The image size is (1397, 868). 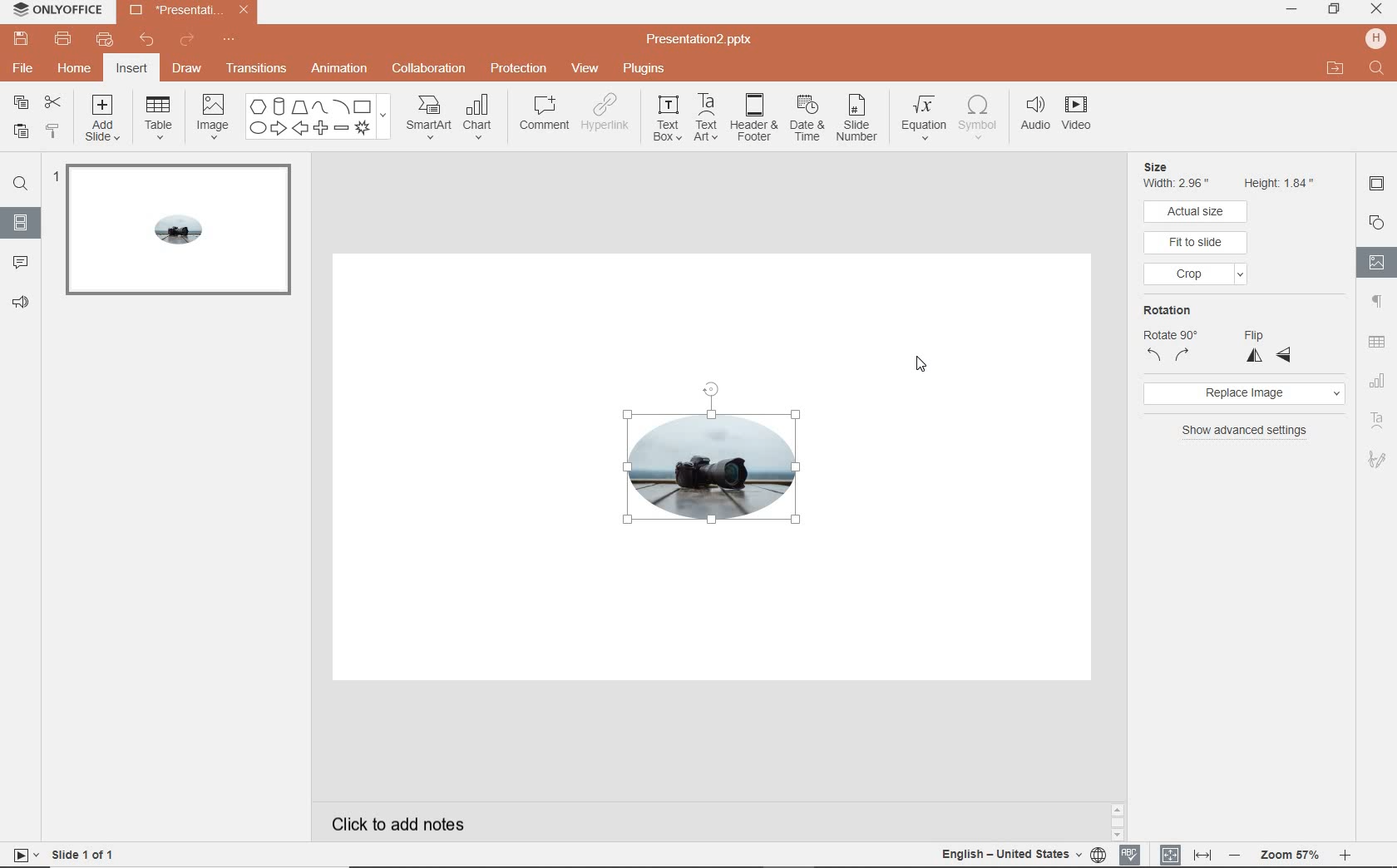 I want to click on table settings, so click(x=1376, y=341).